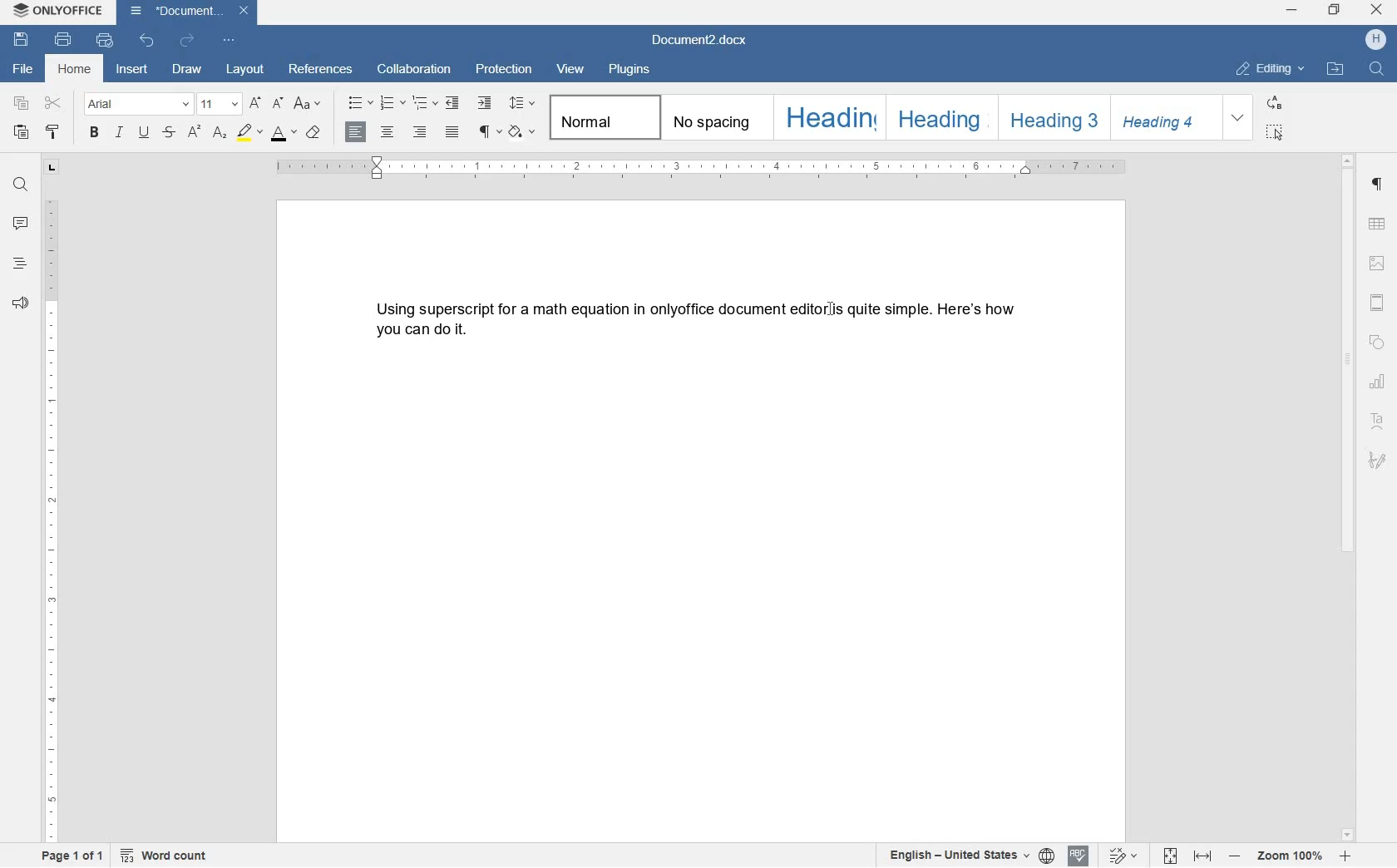  Describe the element at coordinates (219, 134) in the screenshot. I see `subscript` at that location.